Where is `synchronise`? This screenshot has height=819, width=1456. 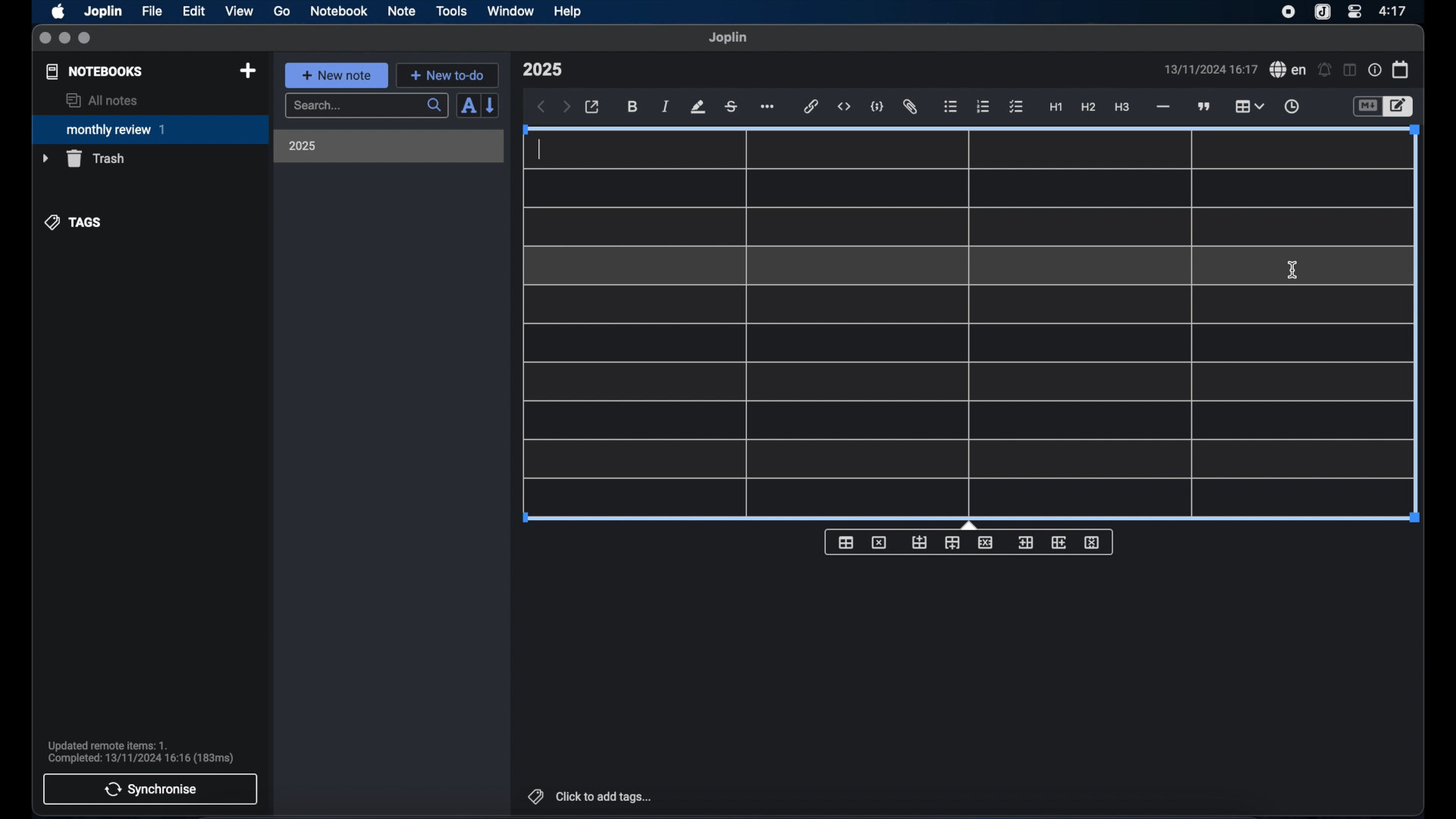
synchronise is located at coordinates (150, 789).